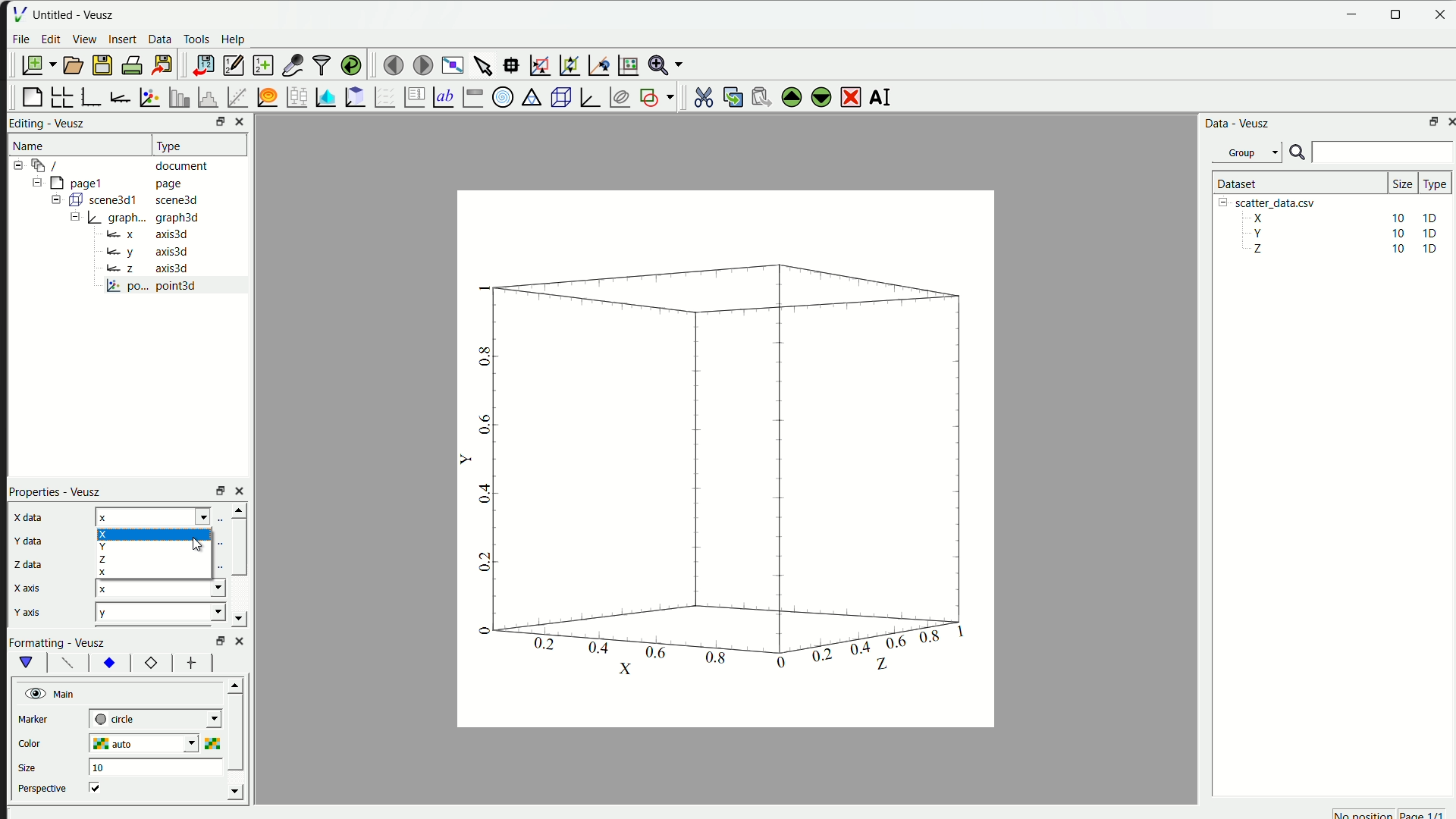 The width and height of the screenshot is (1456, 819). Describe the element at coordinates (199, 544) in the screenshot. I see `cursor` at that location.